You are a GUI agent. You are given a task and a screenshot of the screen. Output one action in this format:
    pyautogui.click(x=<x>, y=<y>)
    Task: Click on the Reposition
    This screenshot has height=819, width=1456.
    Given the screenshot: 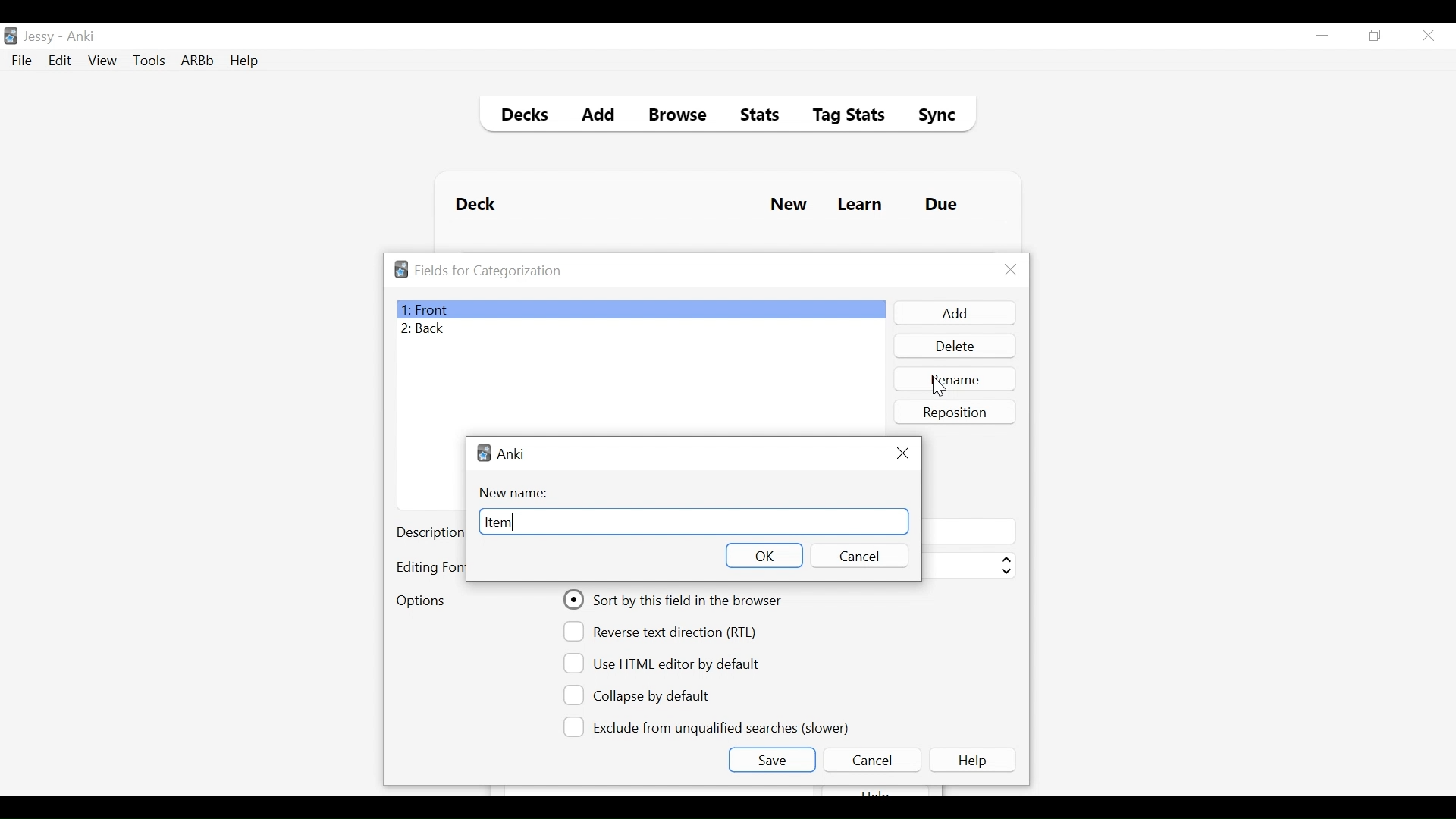 What is the action you would take?
    pyautogui.click(x=956, y=412)
    